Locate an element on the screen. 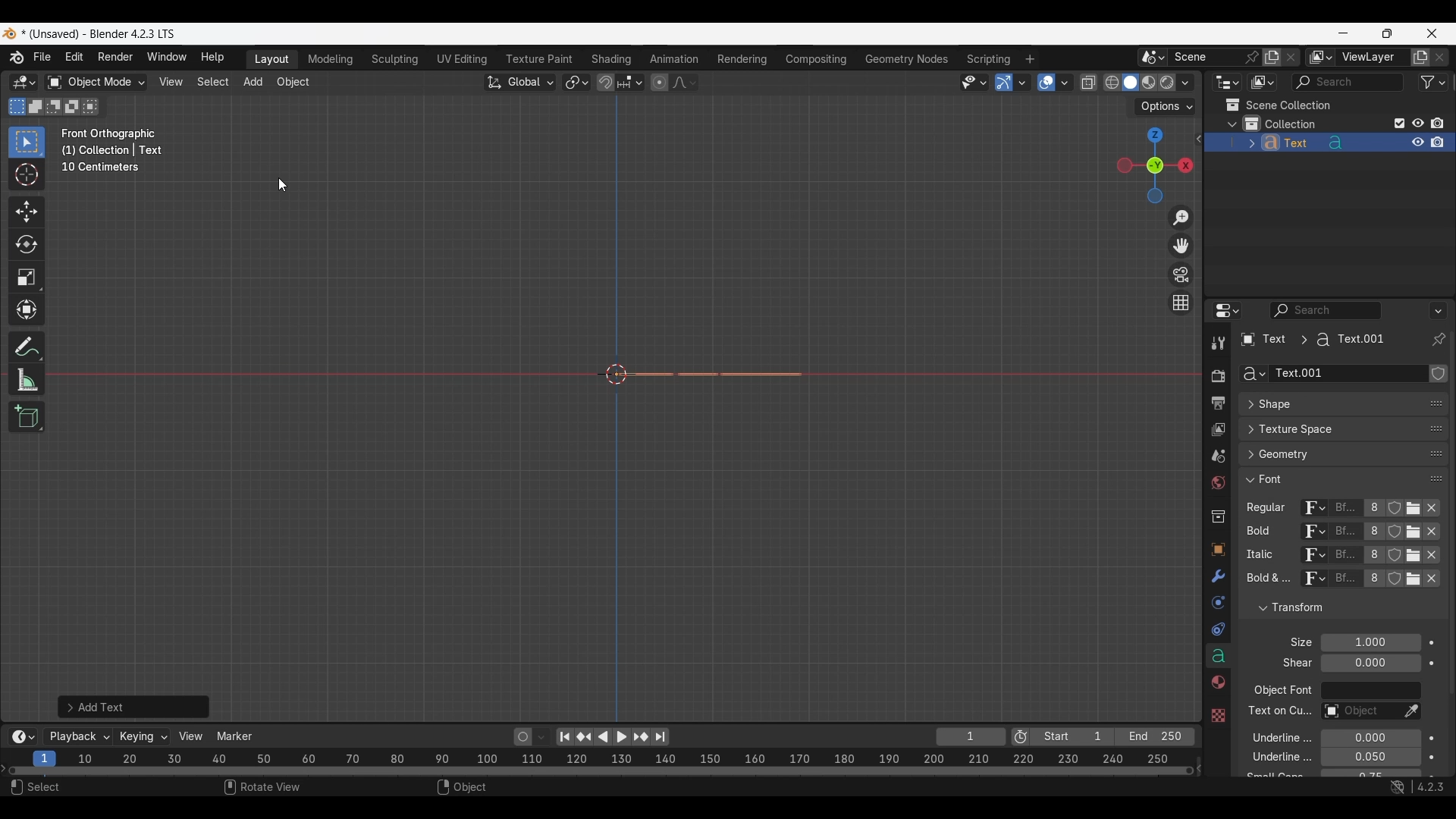 This screenshot has height=819, width=1456. Underline position is located at coordinates (1372, 739).